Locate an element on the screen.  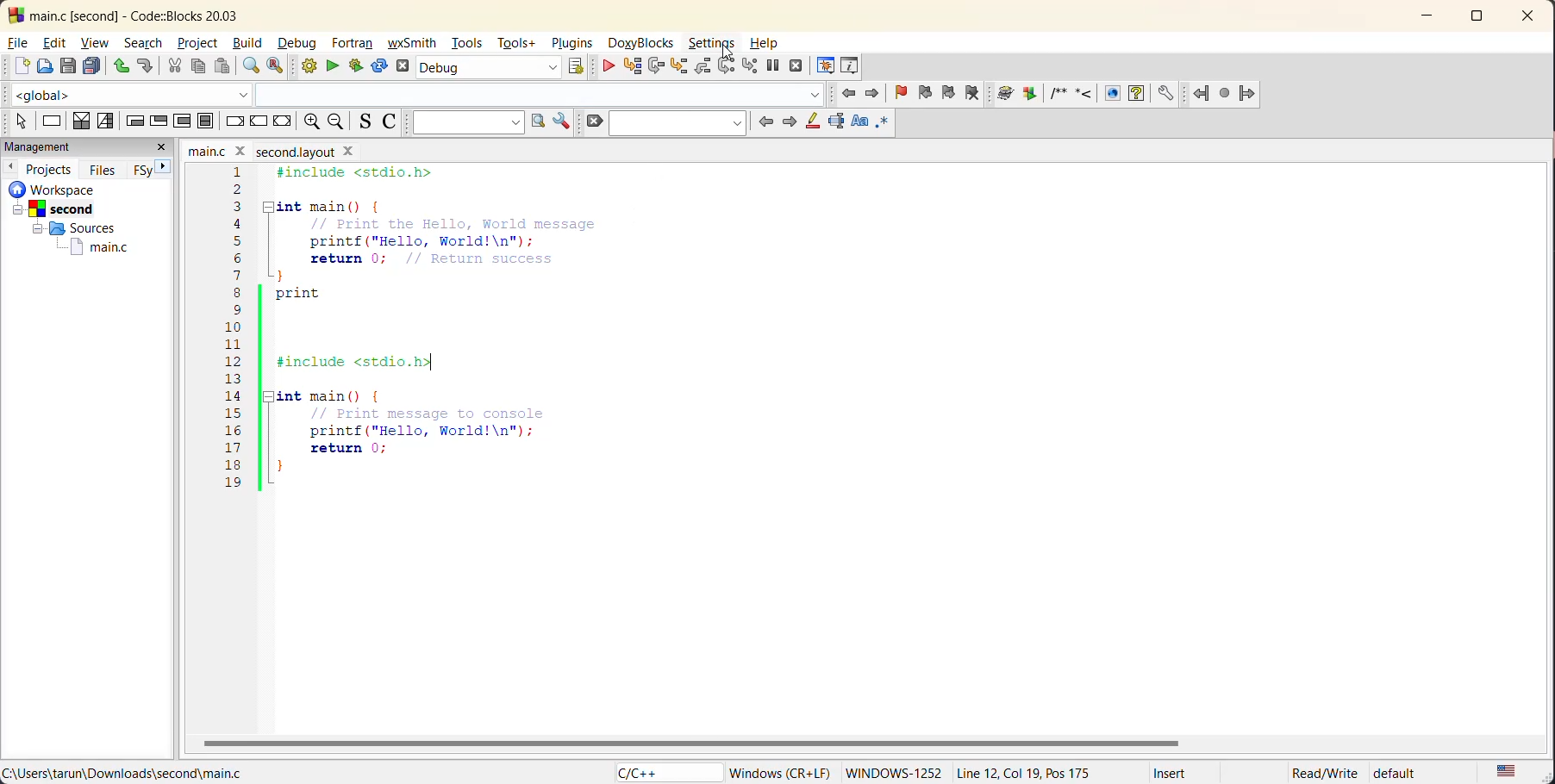
cut is located at coordinates (172, 65).